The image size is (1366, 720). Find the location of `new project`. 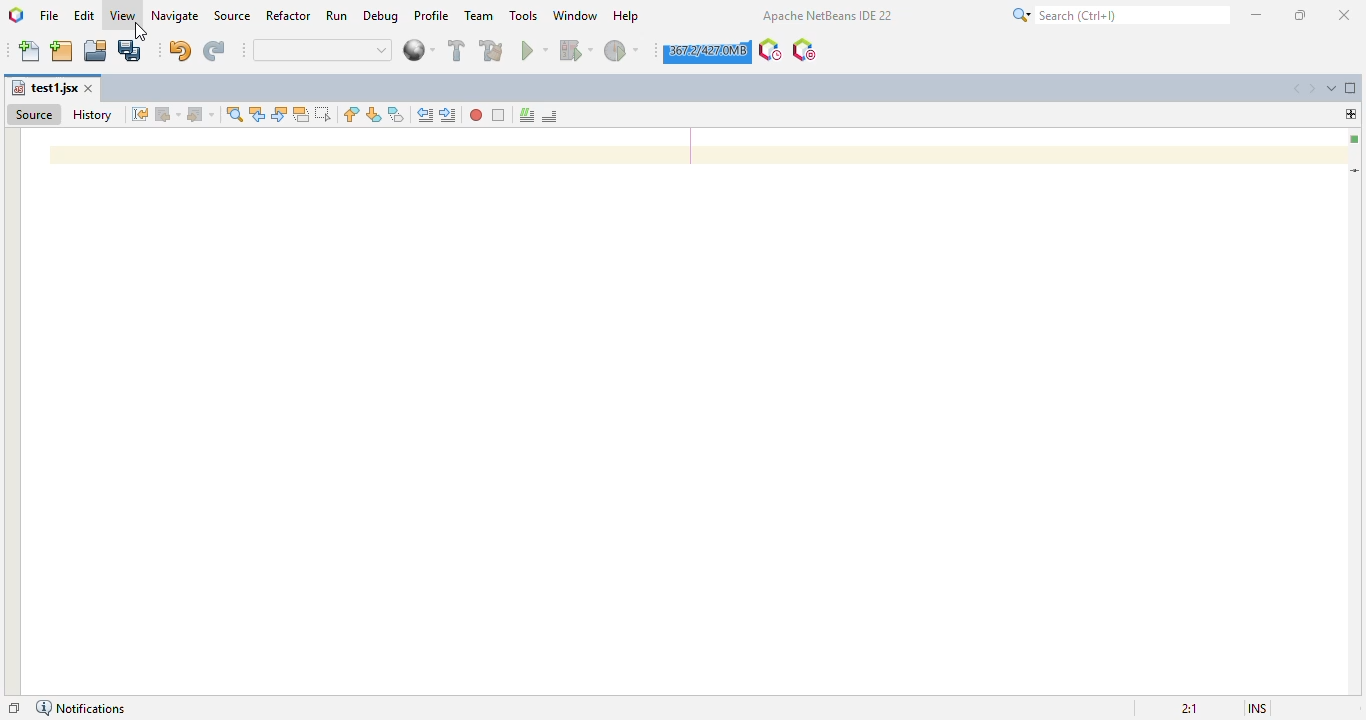

new project is located at coordinates (62, 51).